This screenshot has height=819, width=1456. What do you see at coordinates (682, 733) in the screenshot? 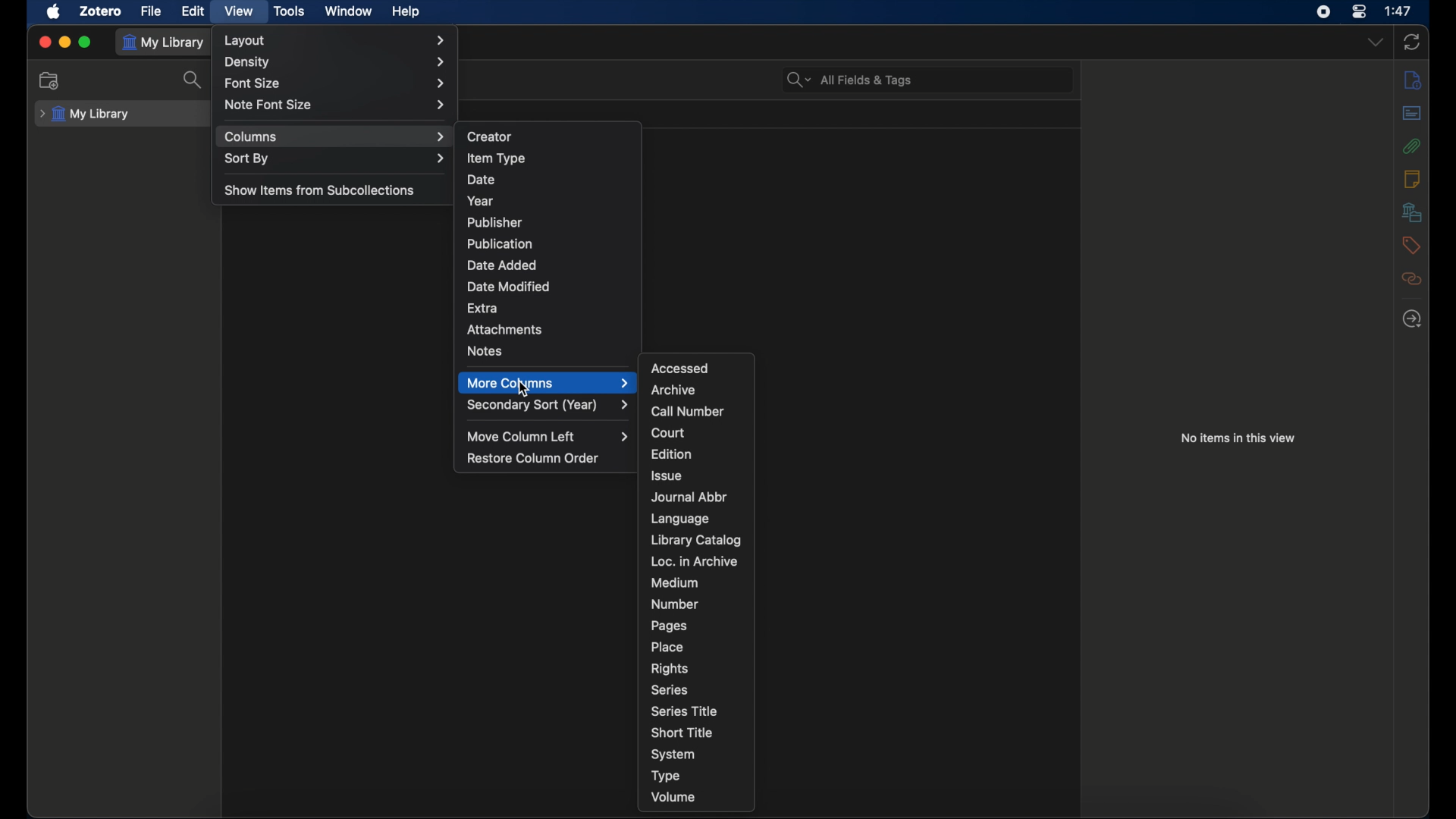
I see `short title` at bounding box center [682, 733].